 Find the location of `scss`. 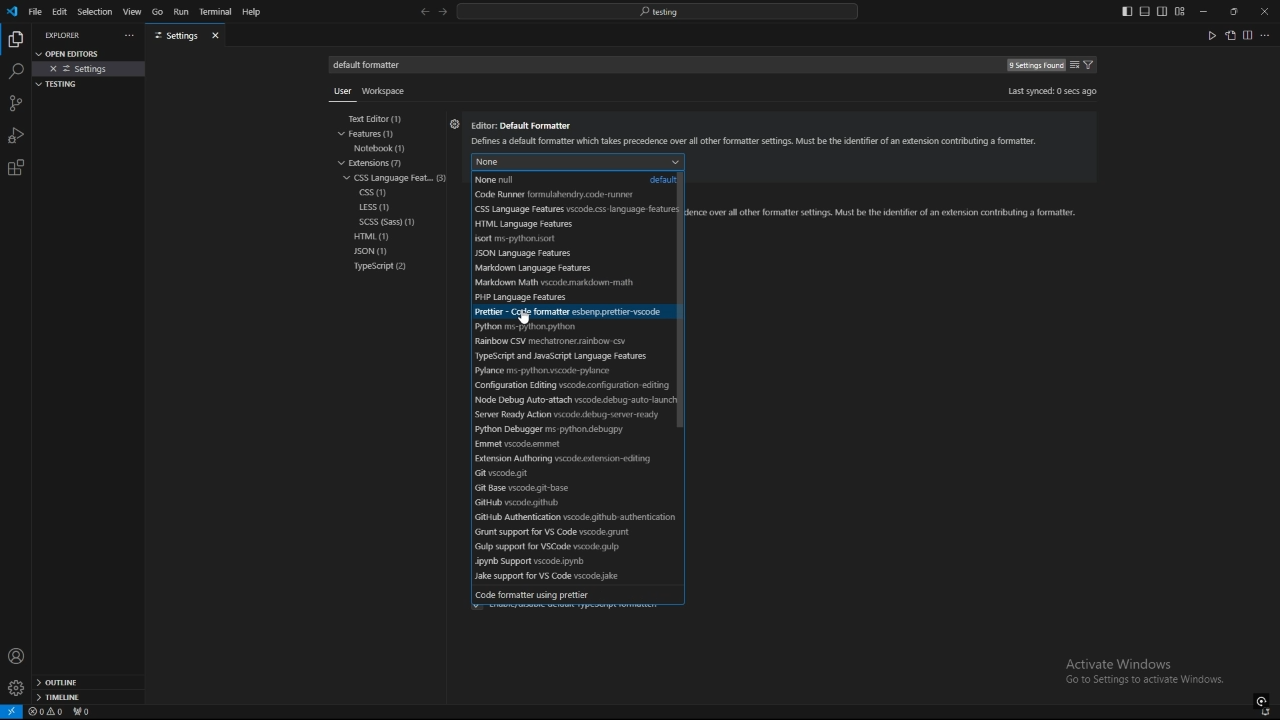

scss is located at coordinates (396, 222).